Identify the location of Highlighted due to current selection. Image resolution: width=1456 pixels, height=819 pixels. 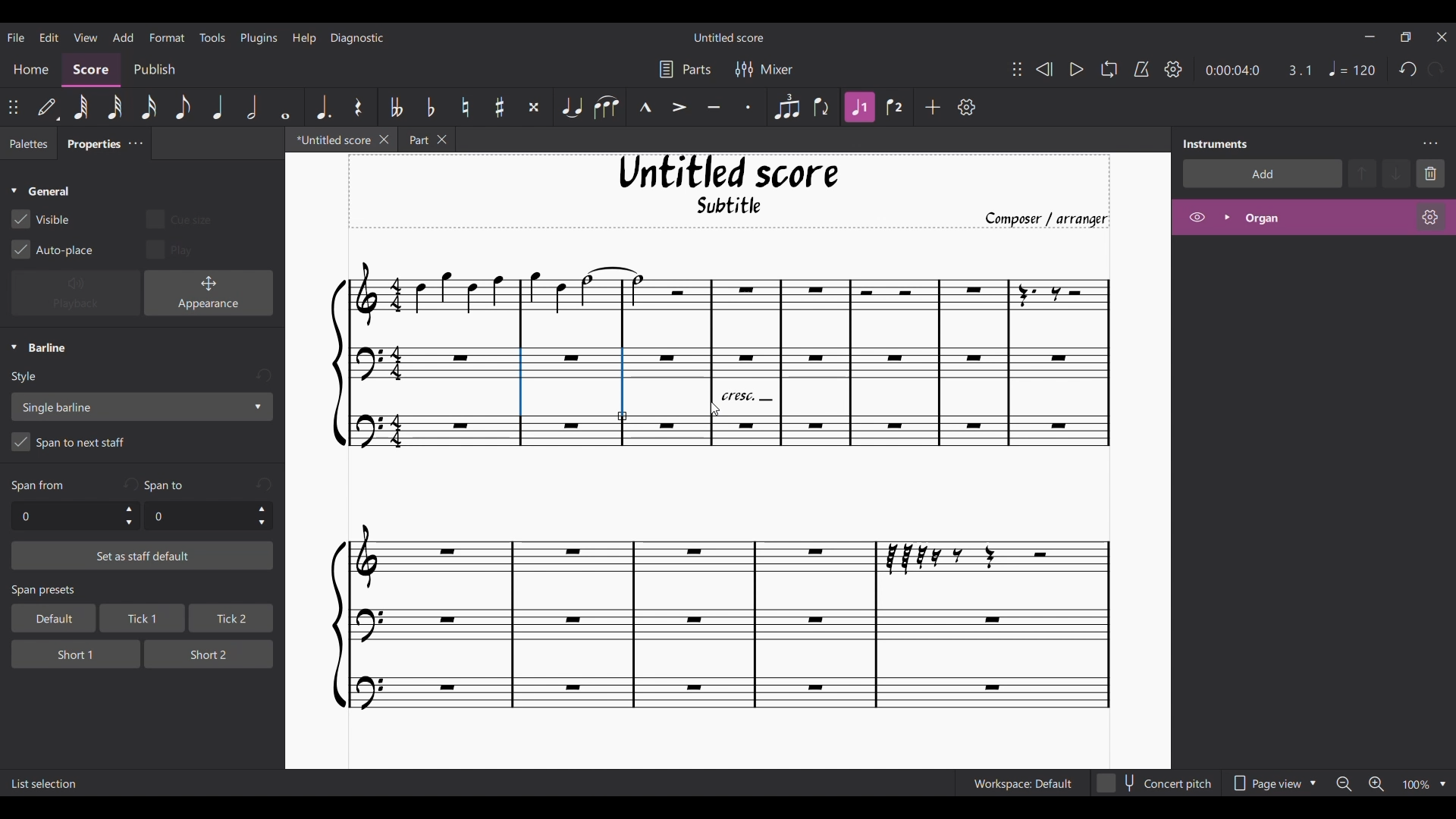
(861, 107).